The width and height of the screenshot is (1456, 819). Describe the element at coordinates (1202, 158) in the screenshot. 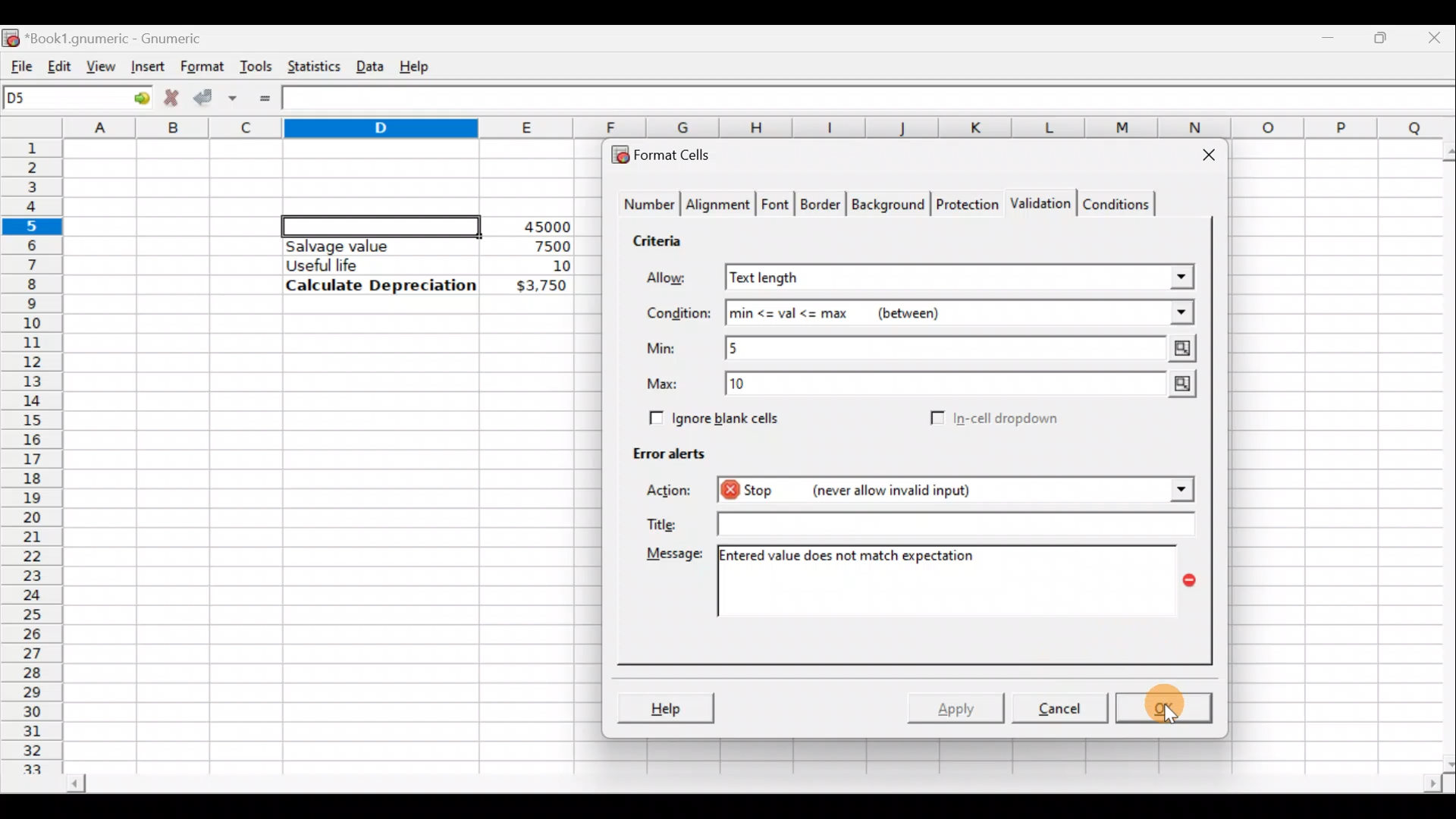

I see `Close` at that location.